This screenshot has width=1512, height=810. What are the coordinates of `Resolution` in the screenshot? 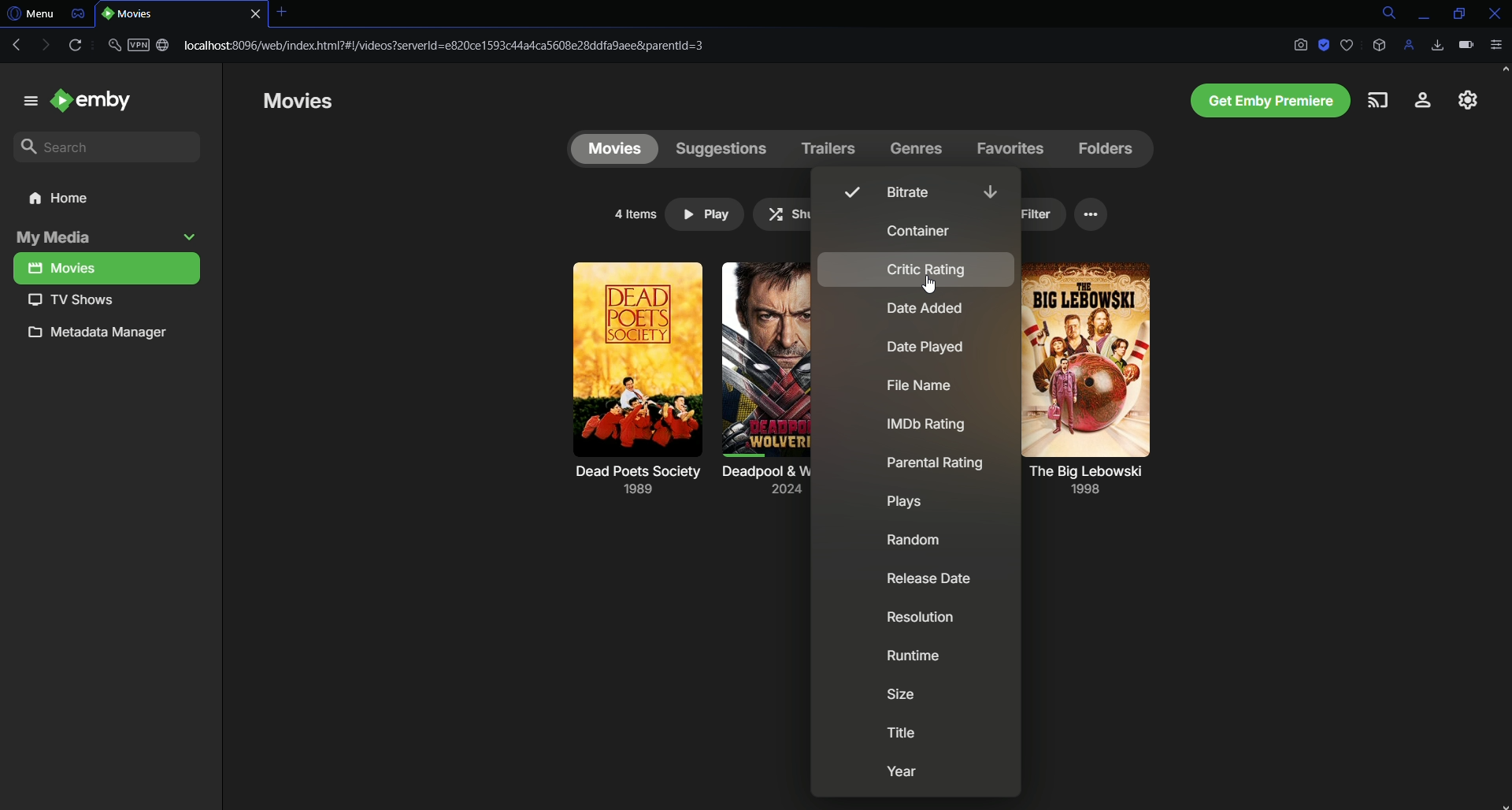 It's located at (918, 620).